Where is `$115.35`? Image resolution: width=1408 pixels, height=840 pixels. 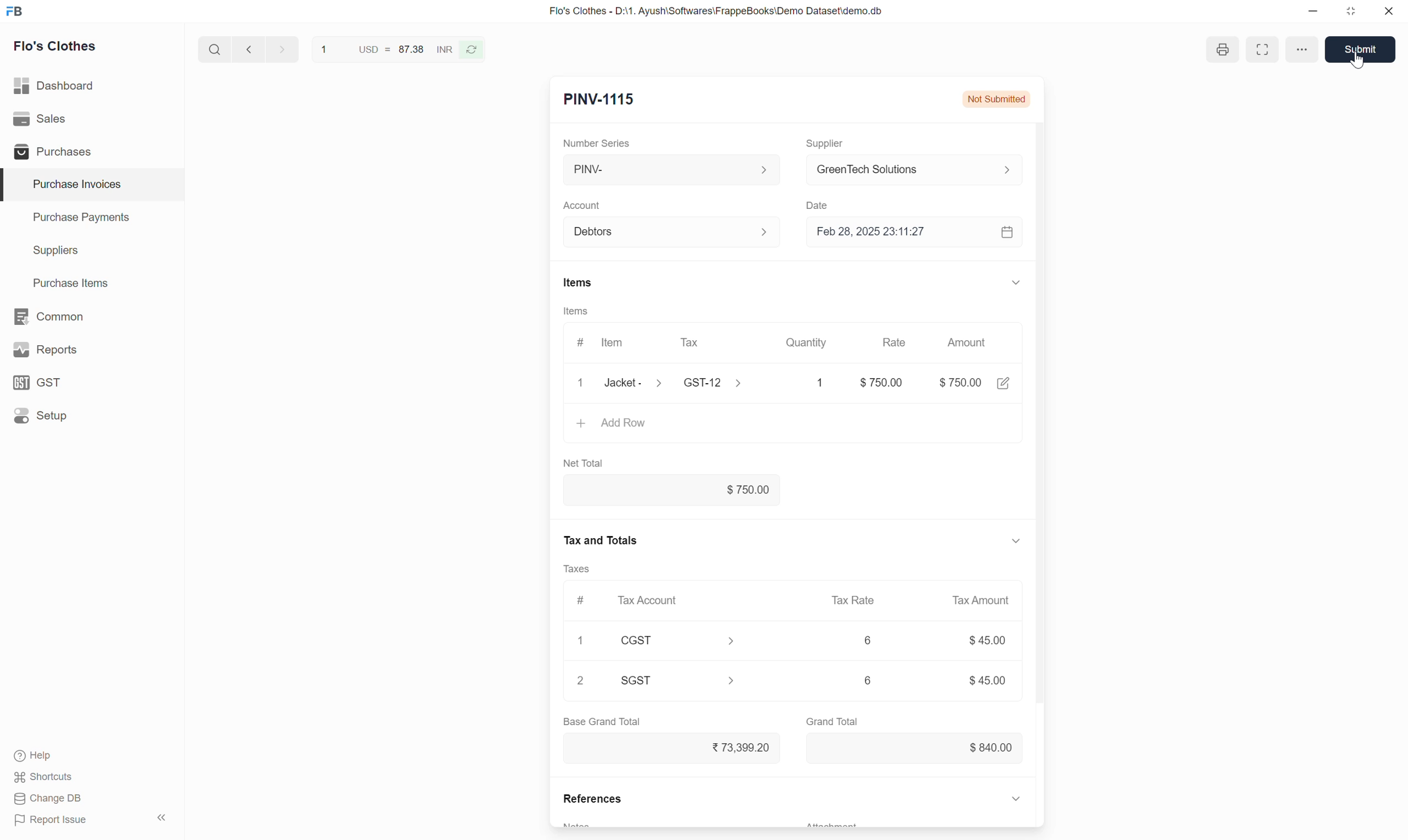
$115.35 is located at coordinates (916, 748).